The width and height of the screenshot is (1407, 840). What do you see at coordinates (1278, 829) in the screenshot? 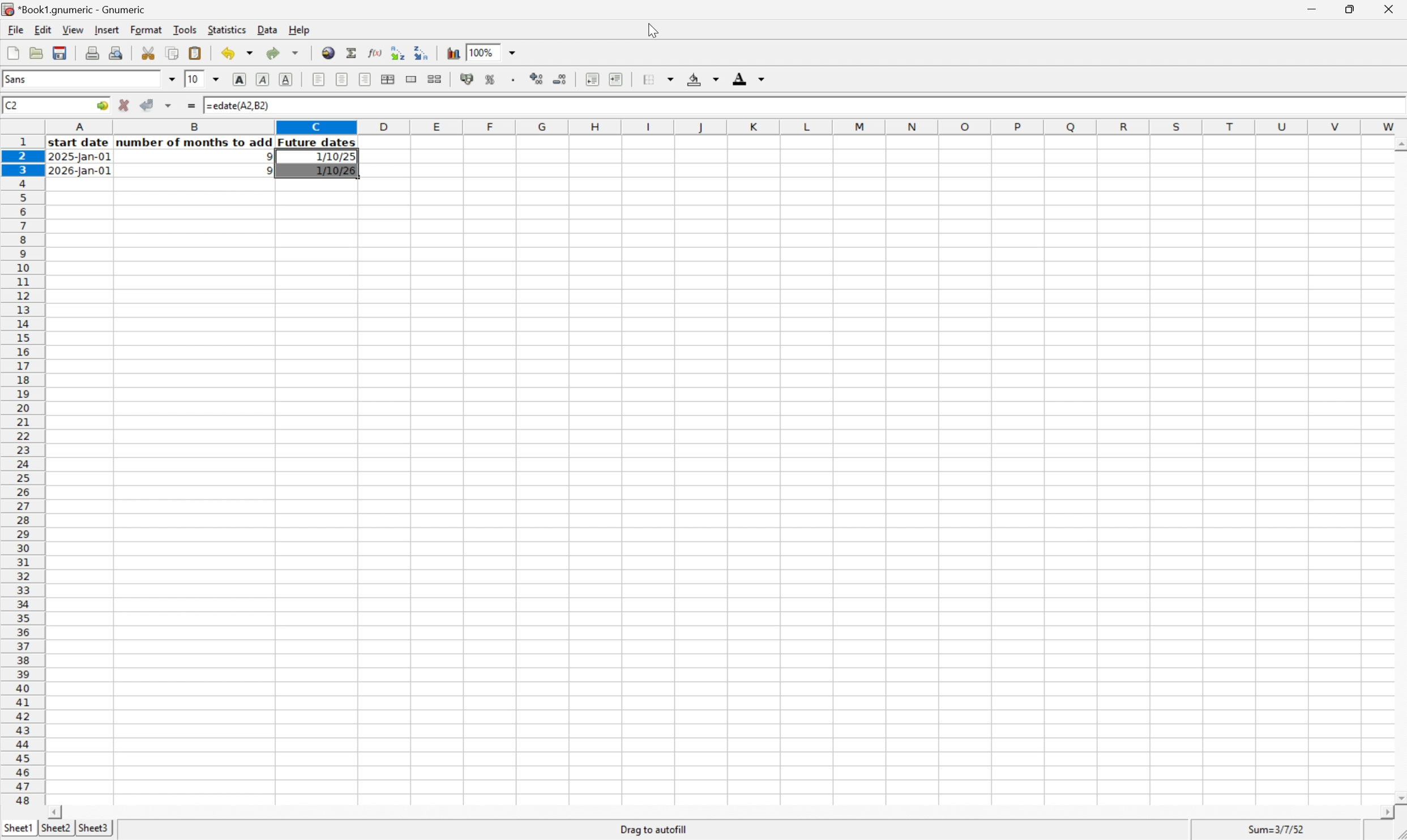
I see `Sum=0` at bounding box center [1278, 829].